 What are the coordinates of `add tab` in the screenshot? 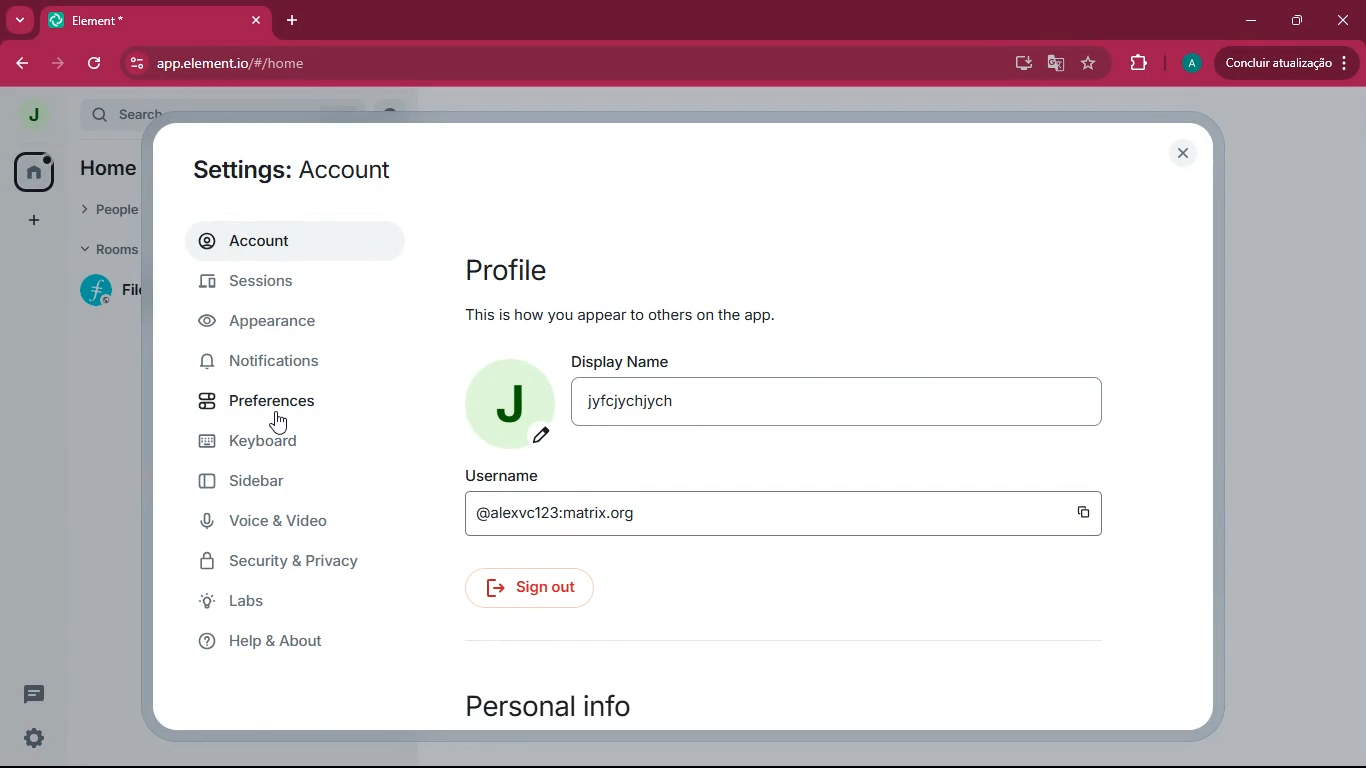 It's located at (294, 20).